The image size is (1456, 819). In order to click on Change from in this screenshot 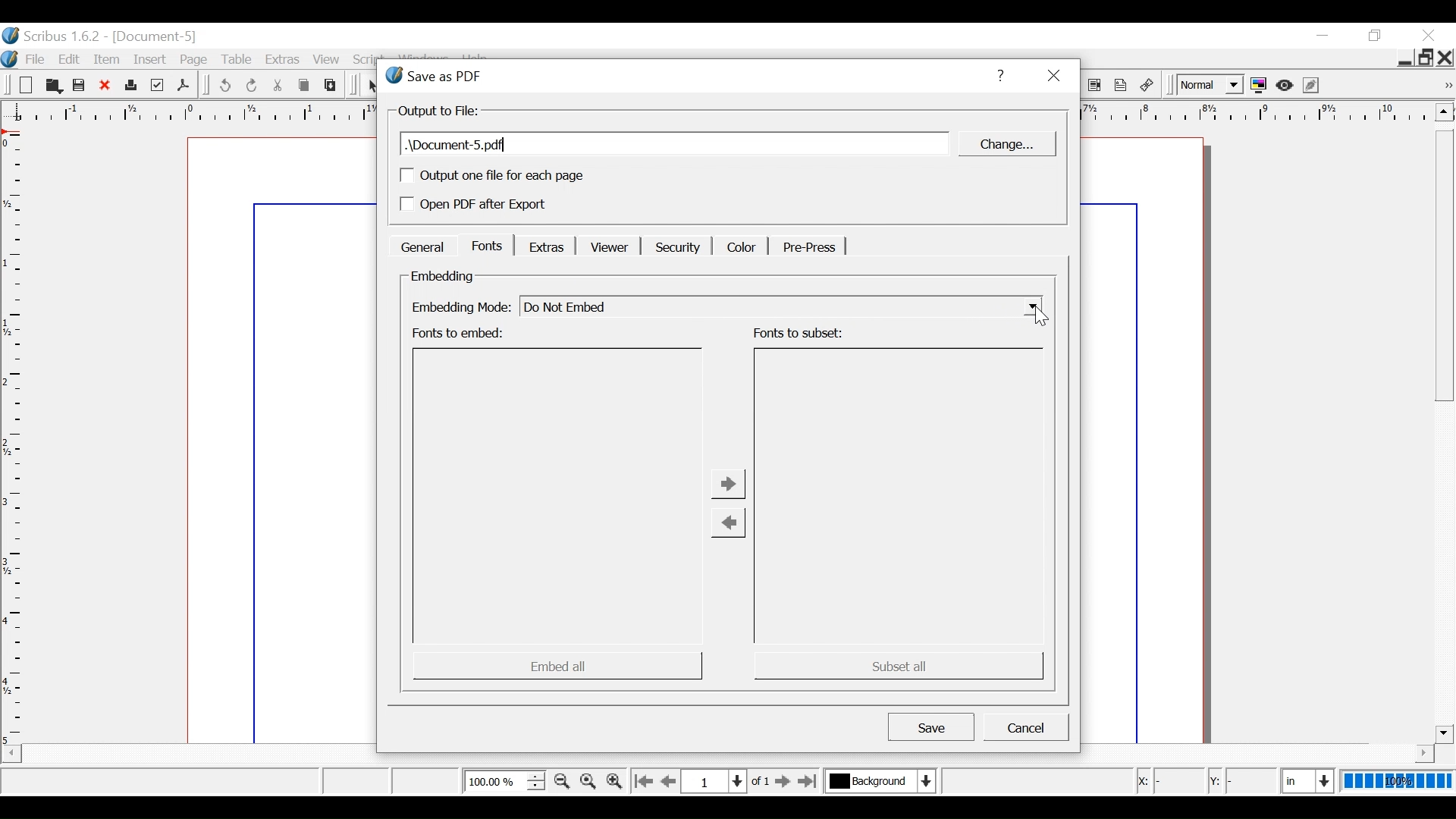, I will do `click(727, 522)`.